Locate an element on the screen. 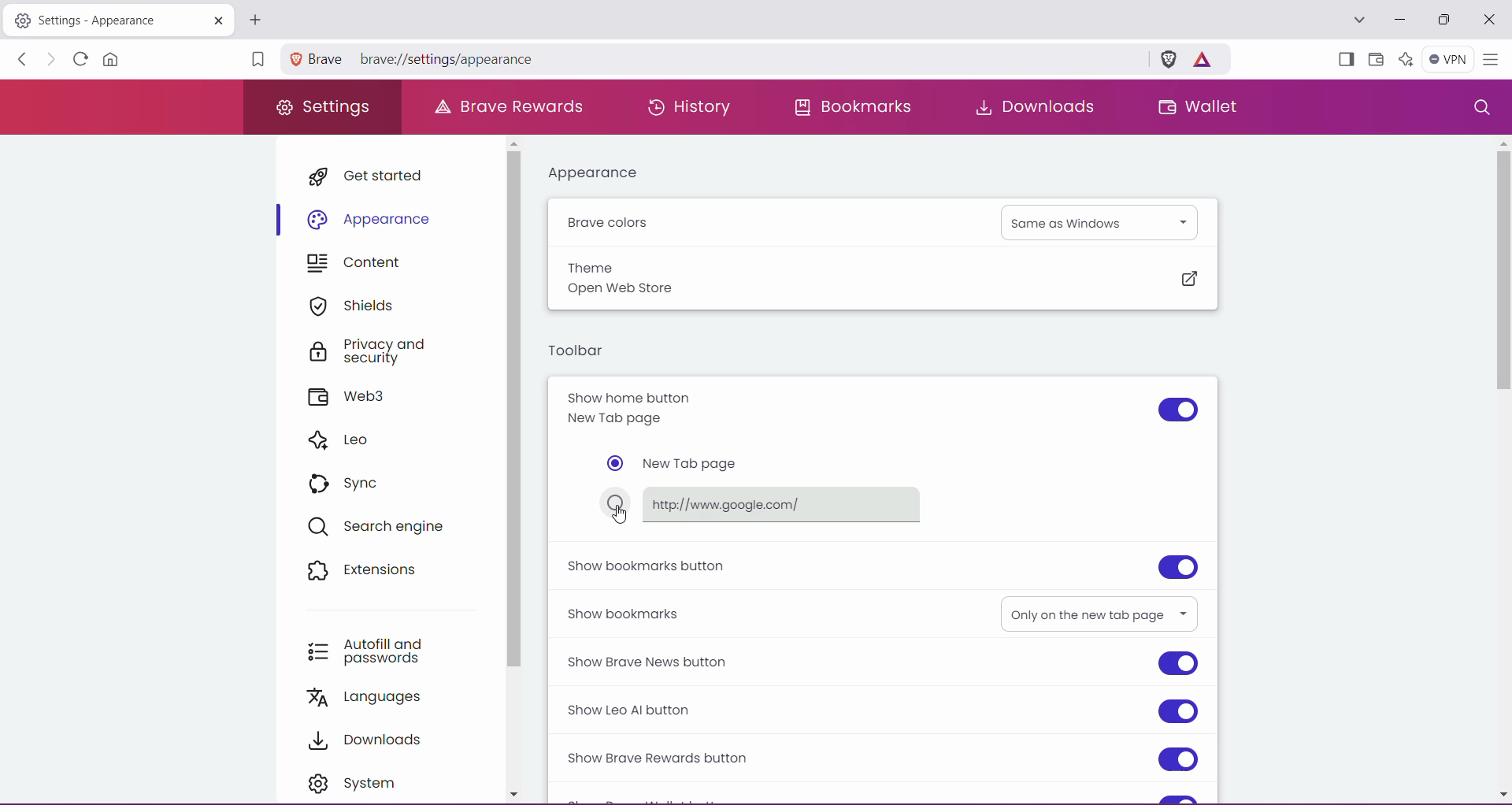 The height and width of the screenshot is (805, 1512). Autofill and passwords is located at coordinates (377, 648).